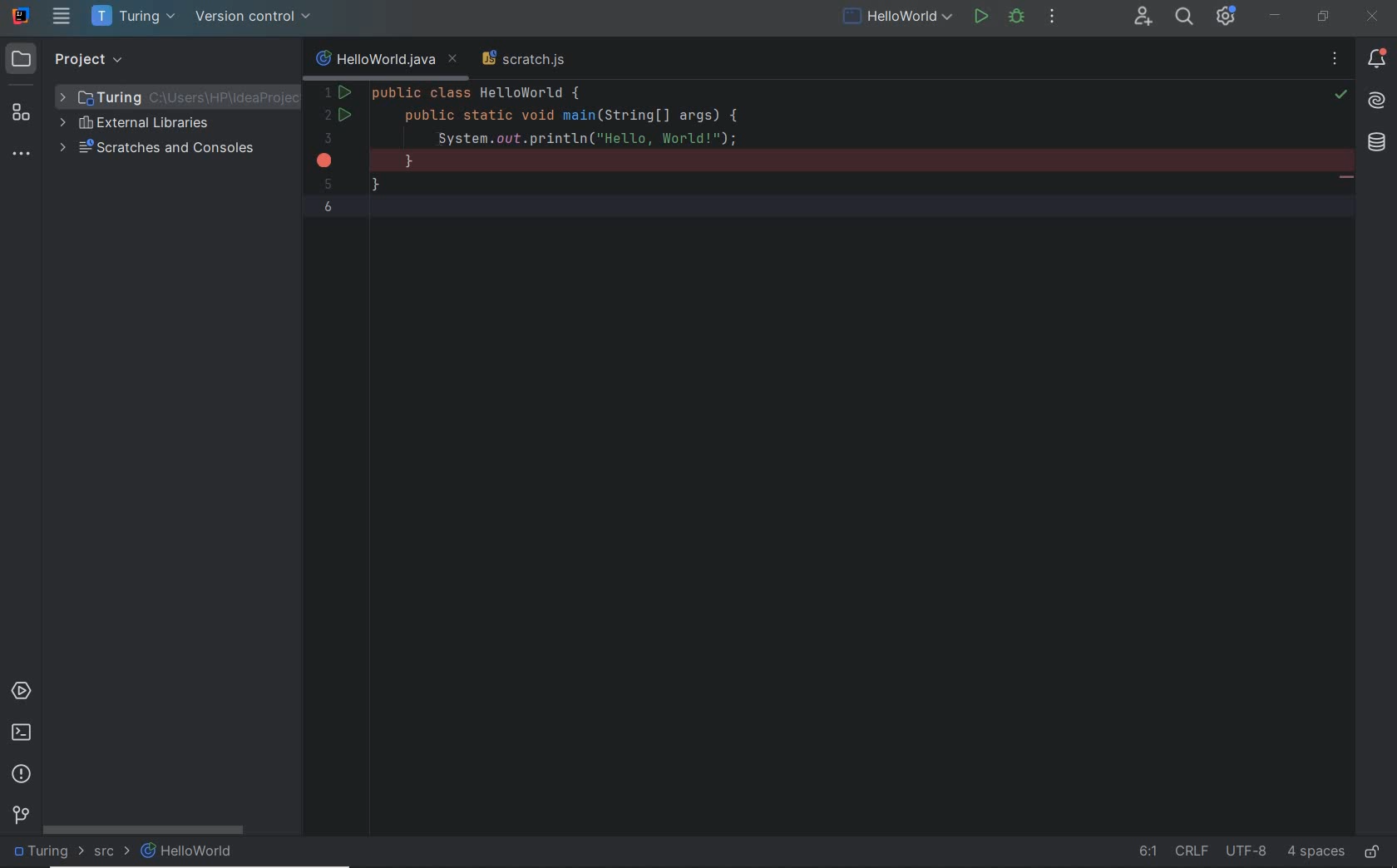 The height and width of the screenshot is (868, 1397). I want to click on IDE and Project Settings, so click(1228, 15).